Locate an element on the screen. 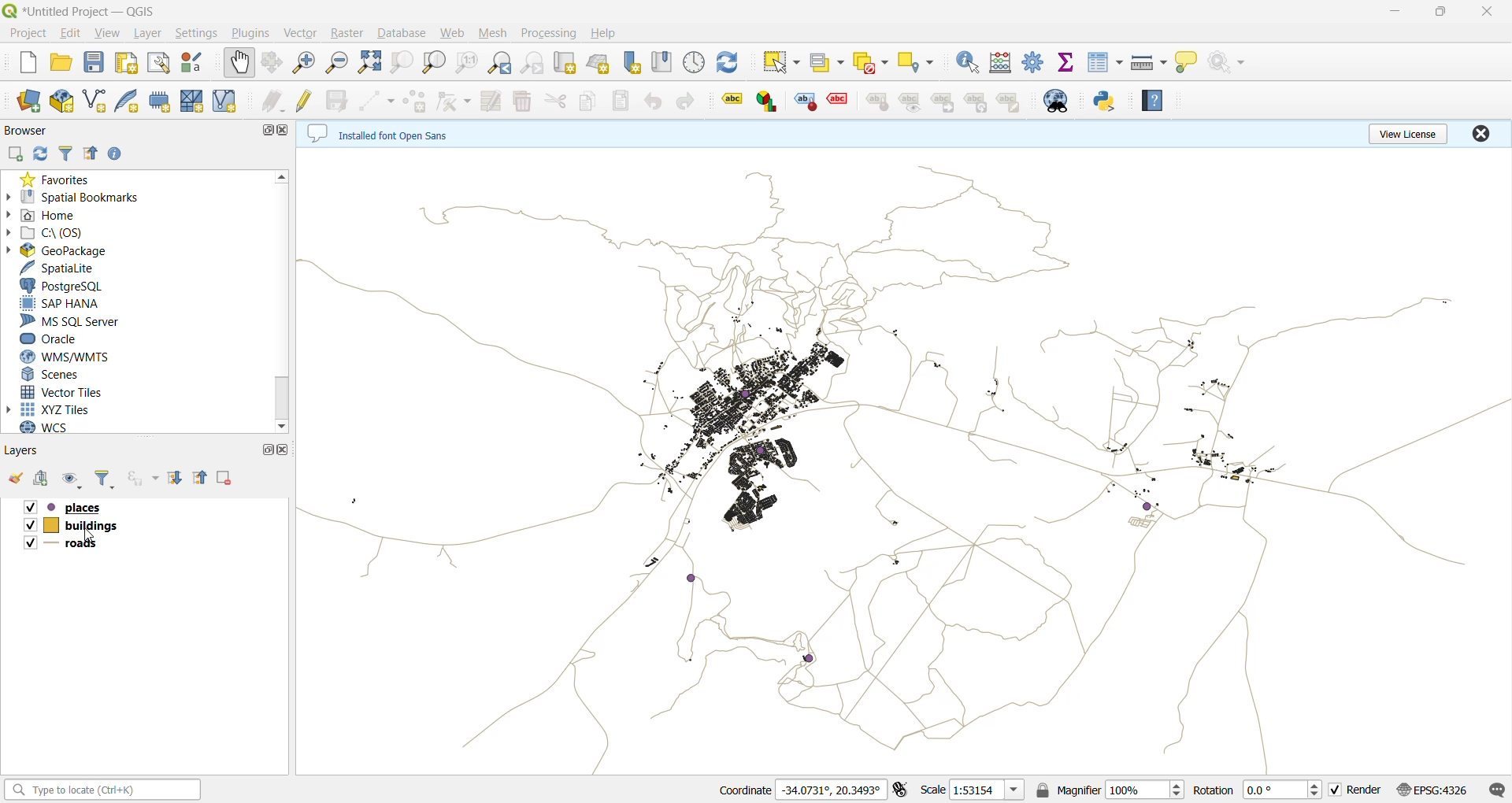 The height and width of the screenshot is (803, 1512). new shapfile layer is located at coordinates (94, 102).